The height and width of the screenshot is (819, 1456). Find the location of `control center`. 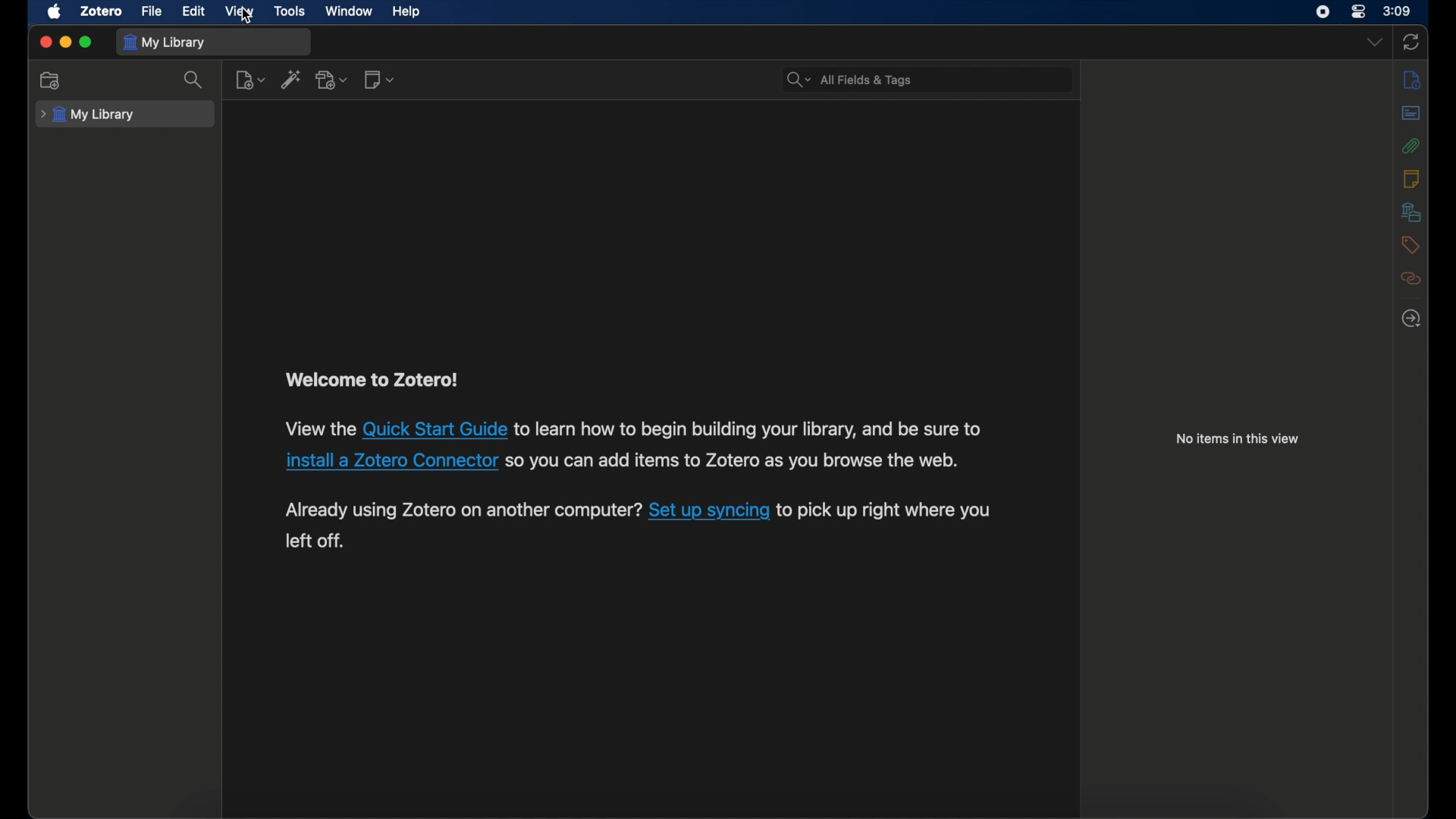

control center is located at coordinates (1359, 12).